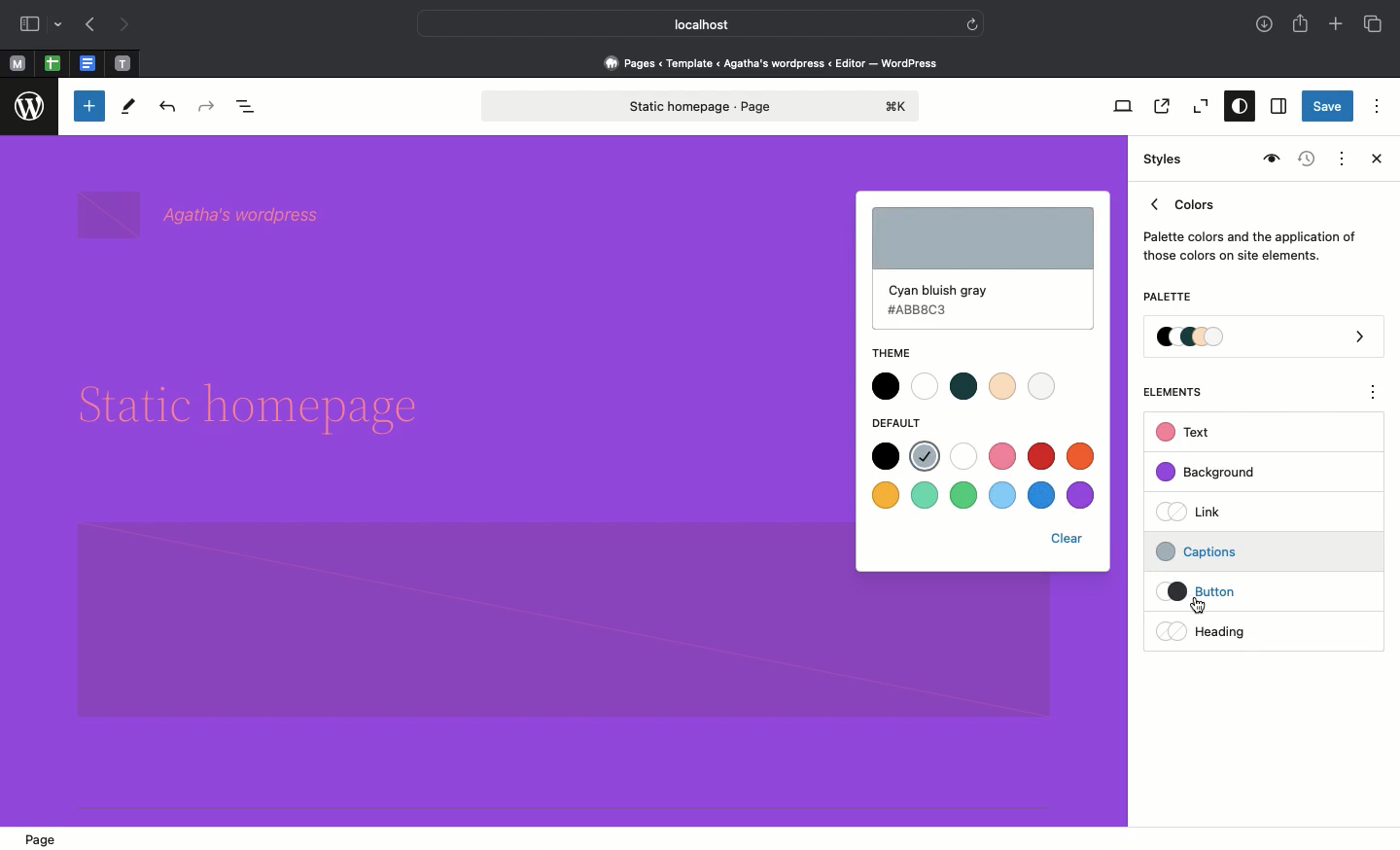 The width and height of the screenshot is (1400, 850). Describe the element at coordinates (1198, 107) in the screenshot. I see `Zoom out` at that location.